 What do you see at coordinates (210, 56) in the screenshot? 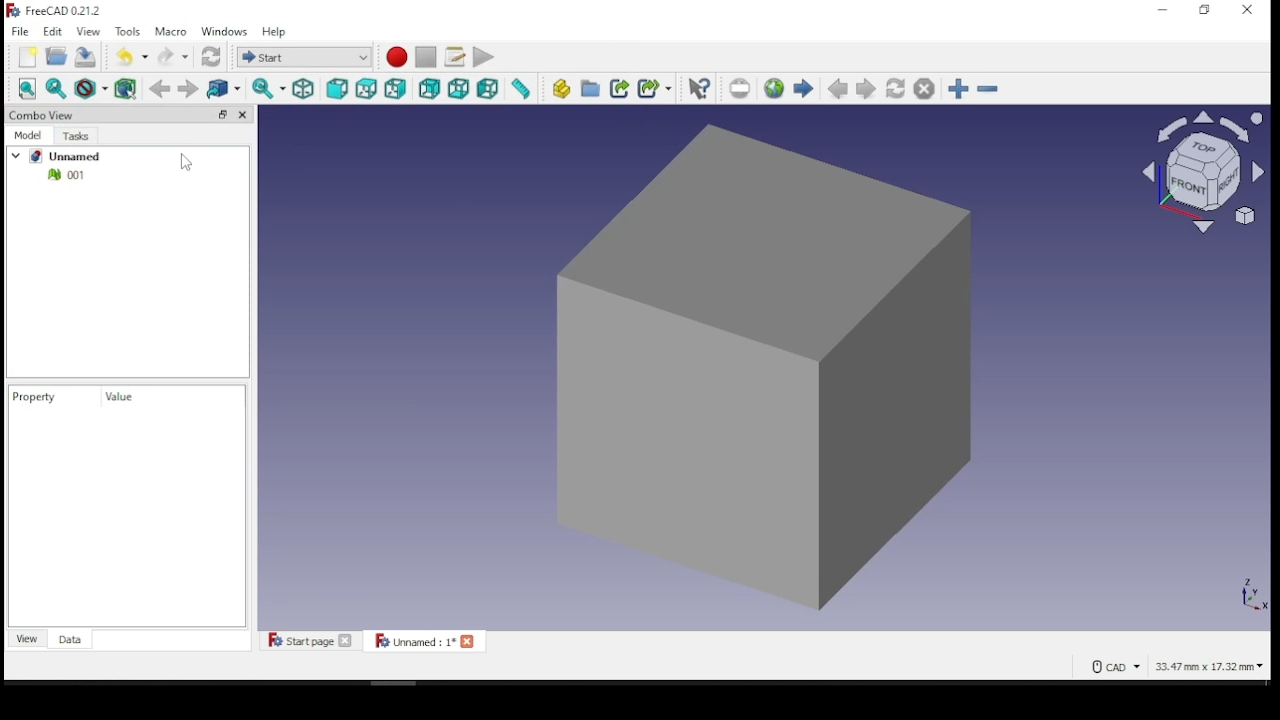
I see `refresh` at bounding box center [210, 56].